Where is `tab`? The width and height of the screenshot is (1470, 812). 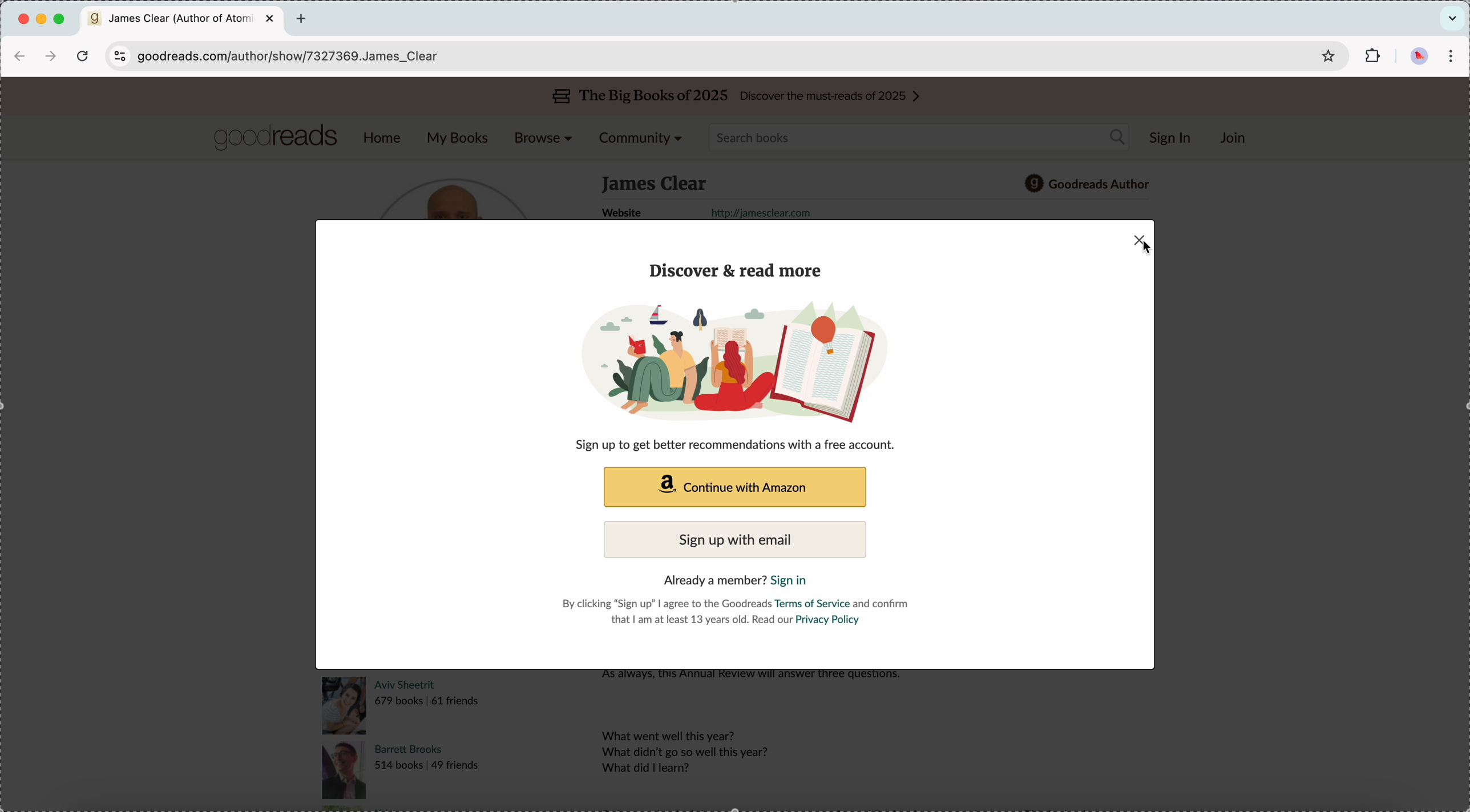 tab is located at coordinates (184, 20).